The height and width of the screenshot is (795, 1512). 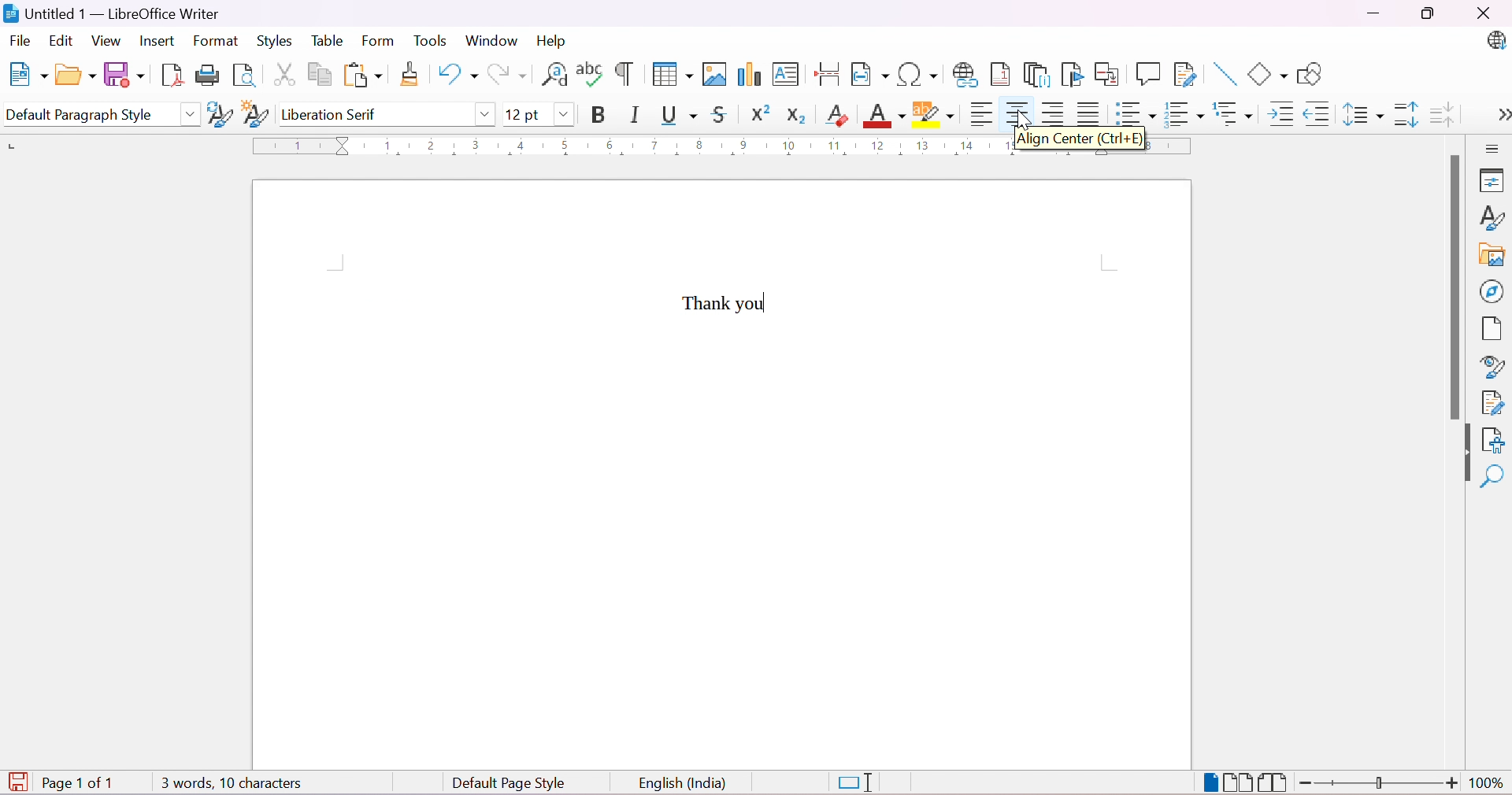 I want to click on 100%, so click(x=1488, y=786).